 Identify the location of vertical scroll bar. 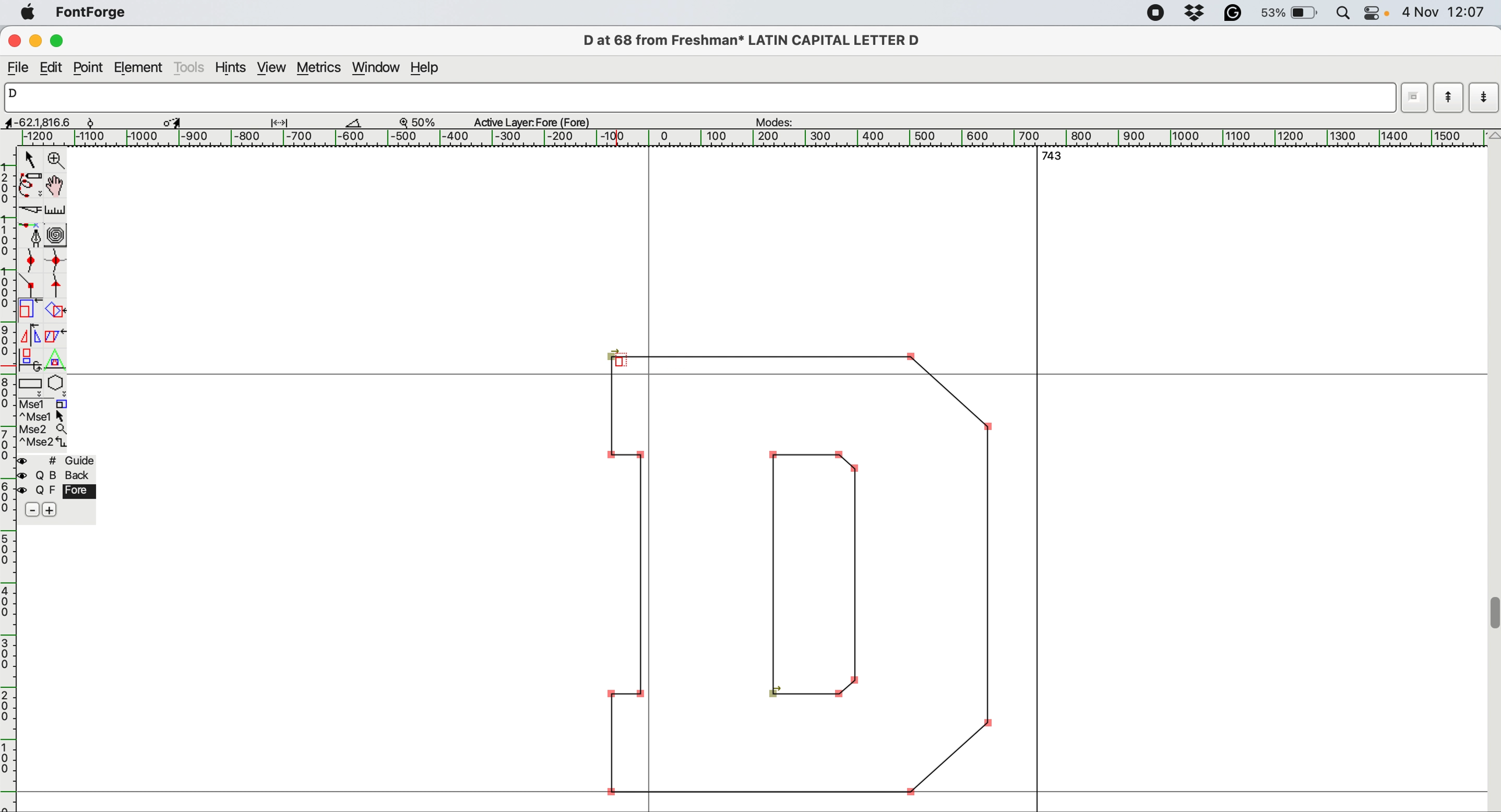
(1492, 470).